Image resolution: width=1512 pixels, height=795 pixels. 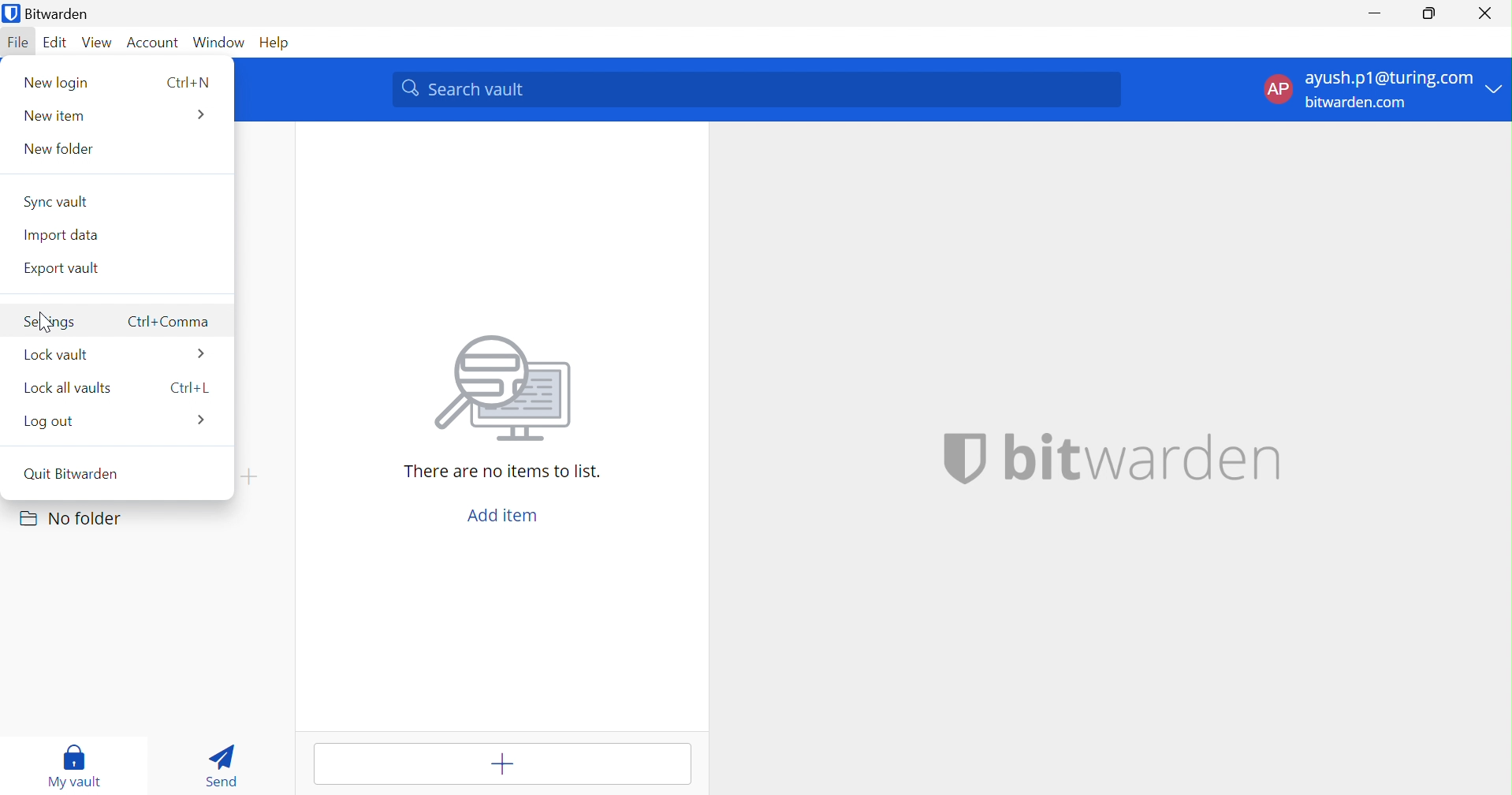 What do you see at coordinates (220, 41) in the screenshot?
I see `Window` at bounding box center [220, 41].